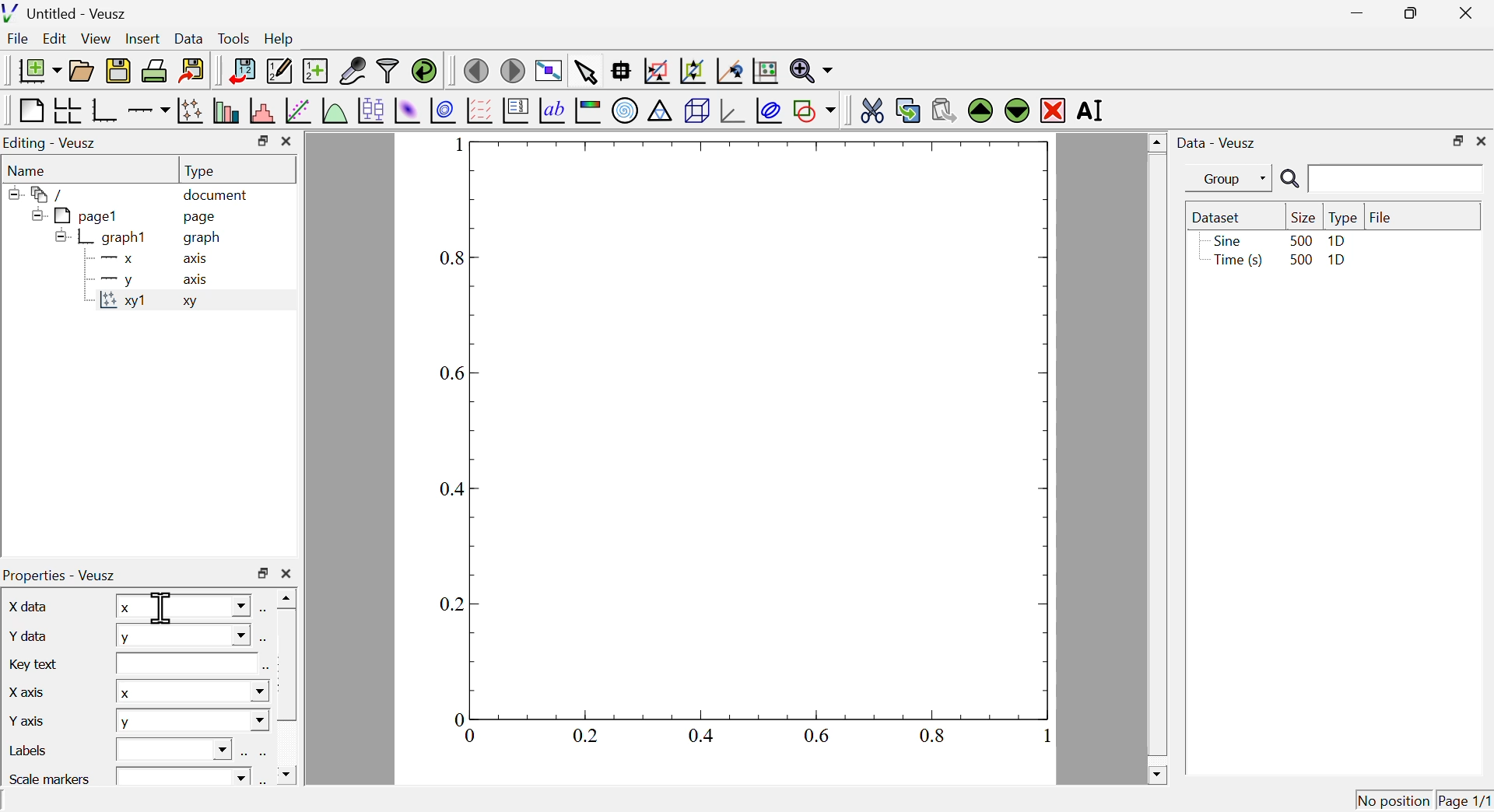 This screenshot has width=1494, height=812. Describe the element at coordinates (701, 735) in the screenshot. I see `0.4` at that location.